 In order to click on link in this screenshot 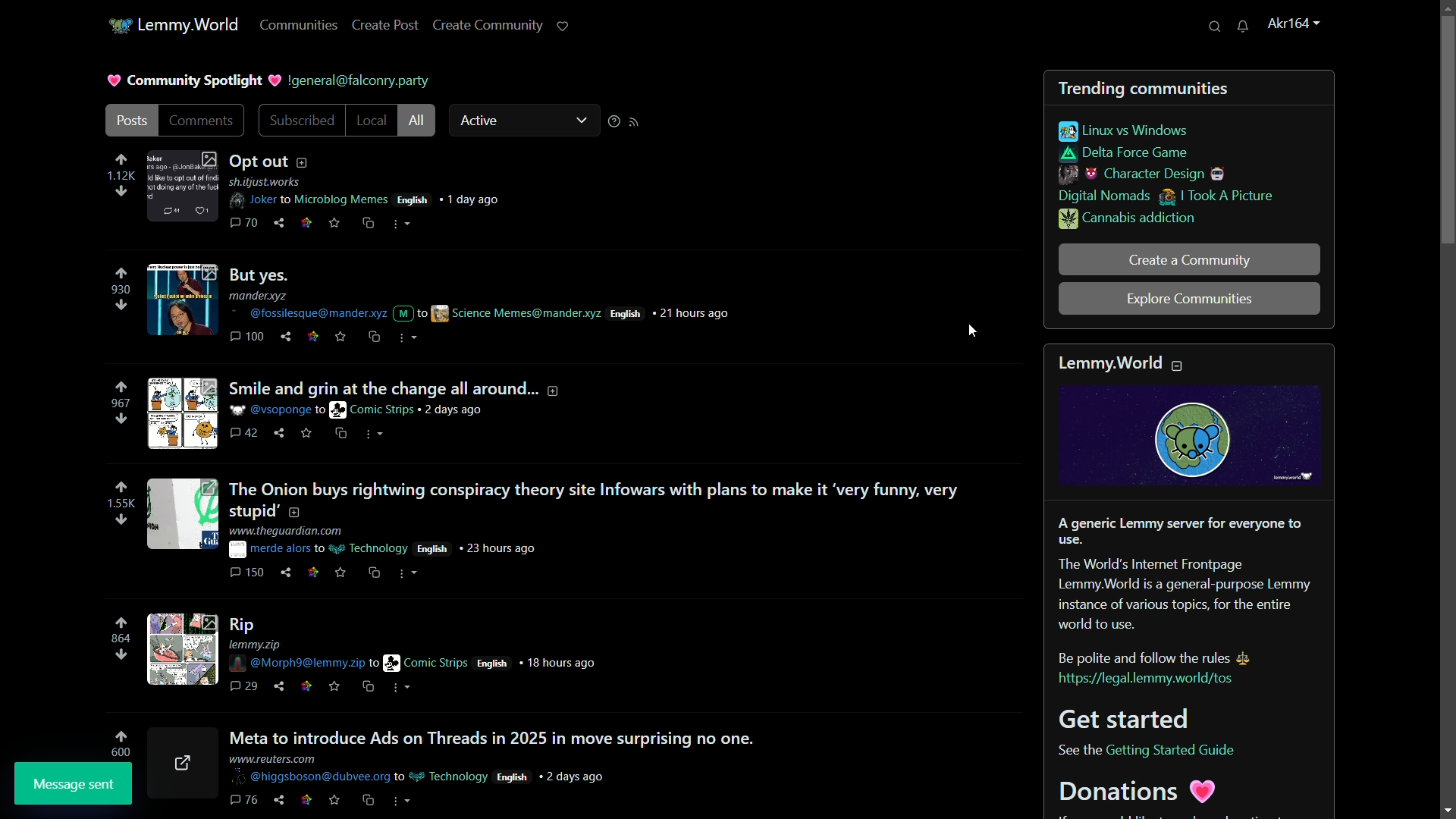, I will do `click(306, 222)`.